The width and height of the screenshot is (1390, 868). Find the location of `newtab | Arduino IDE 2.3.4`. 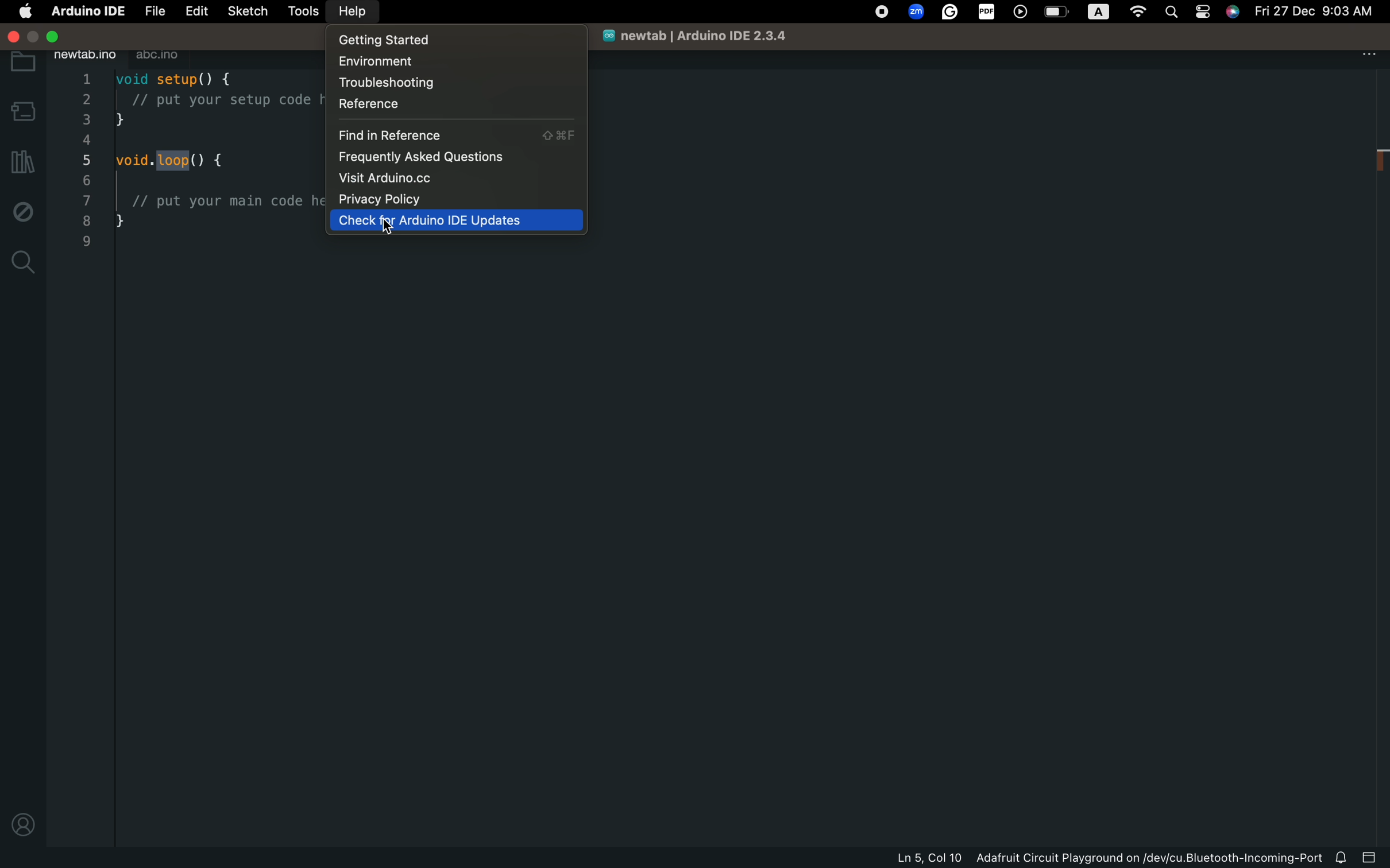

newtab | Arduino IDE 2.3.4 is located at coordinates (692, 37).